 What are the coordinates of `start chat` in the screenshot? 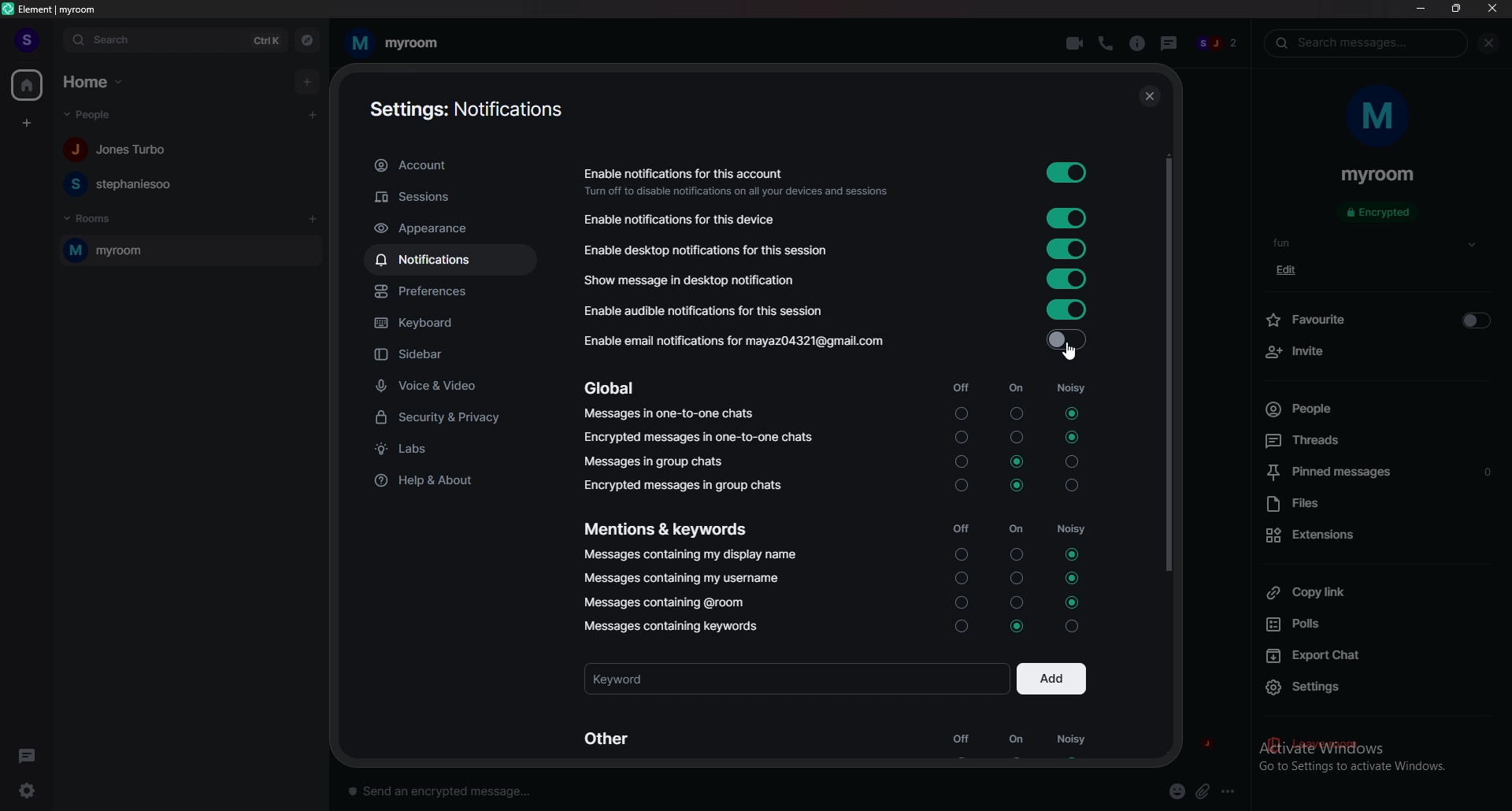 It's located at (314, 114).